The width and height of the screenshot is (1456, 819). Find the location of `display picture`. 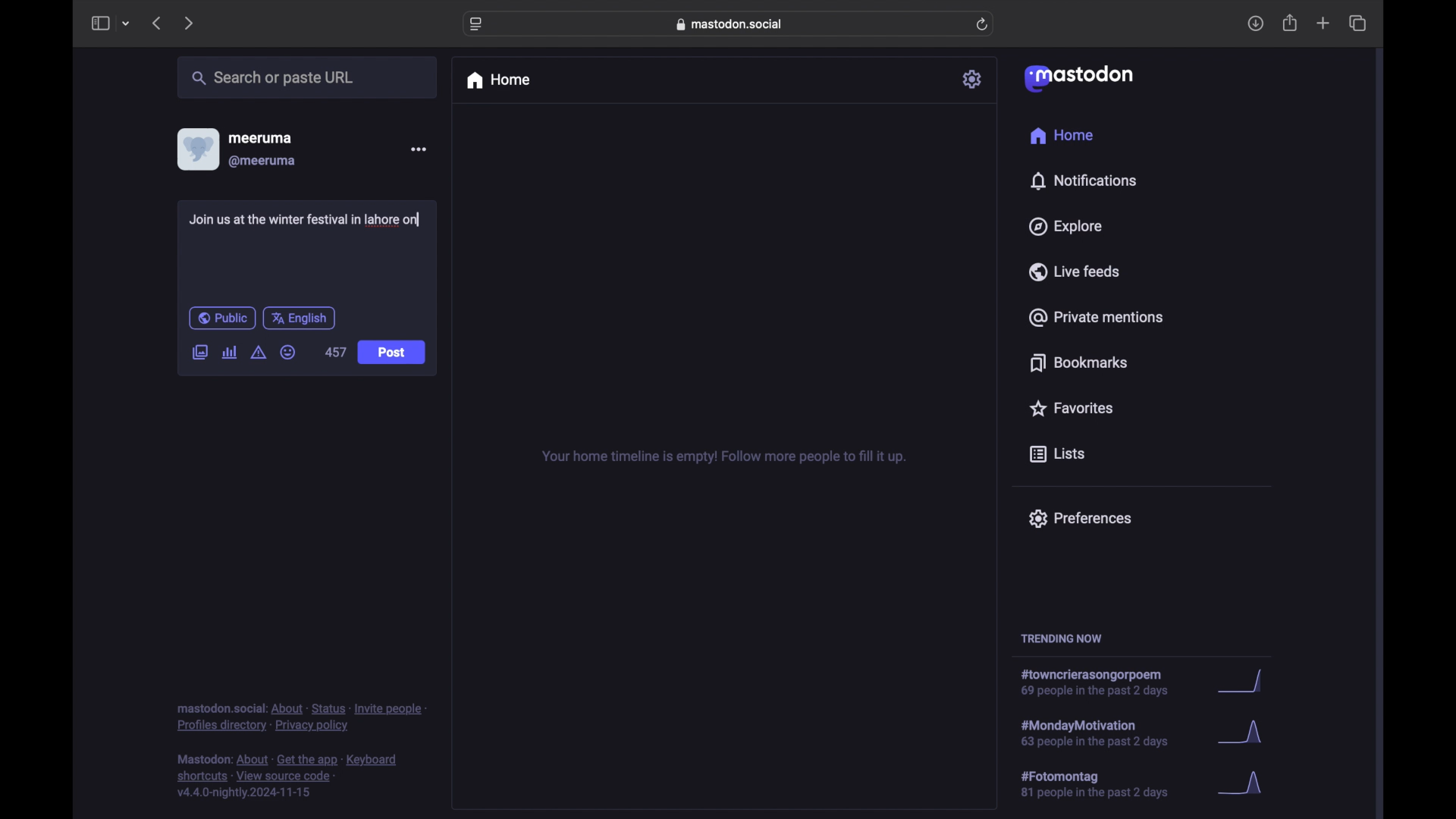

display picture is located at coordinates (196, 149).